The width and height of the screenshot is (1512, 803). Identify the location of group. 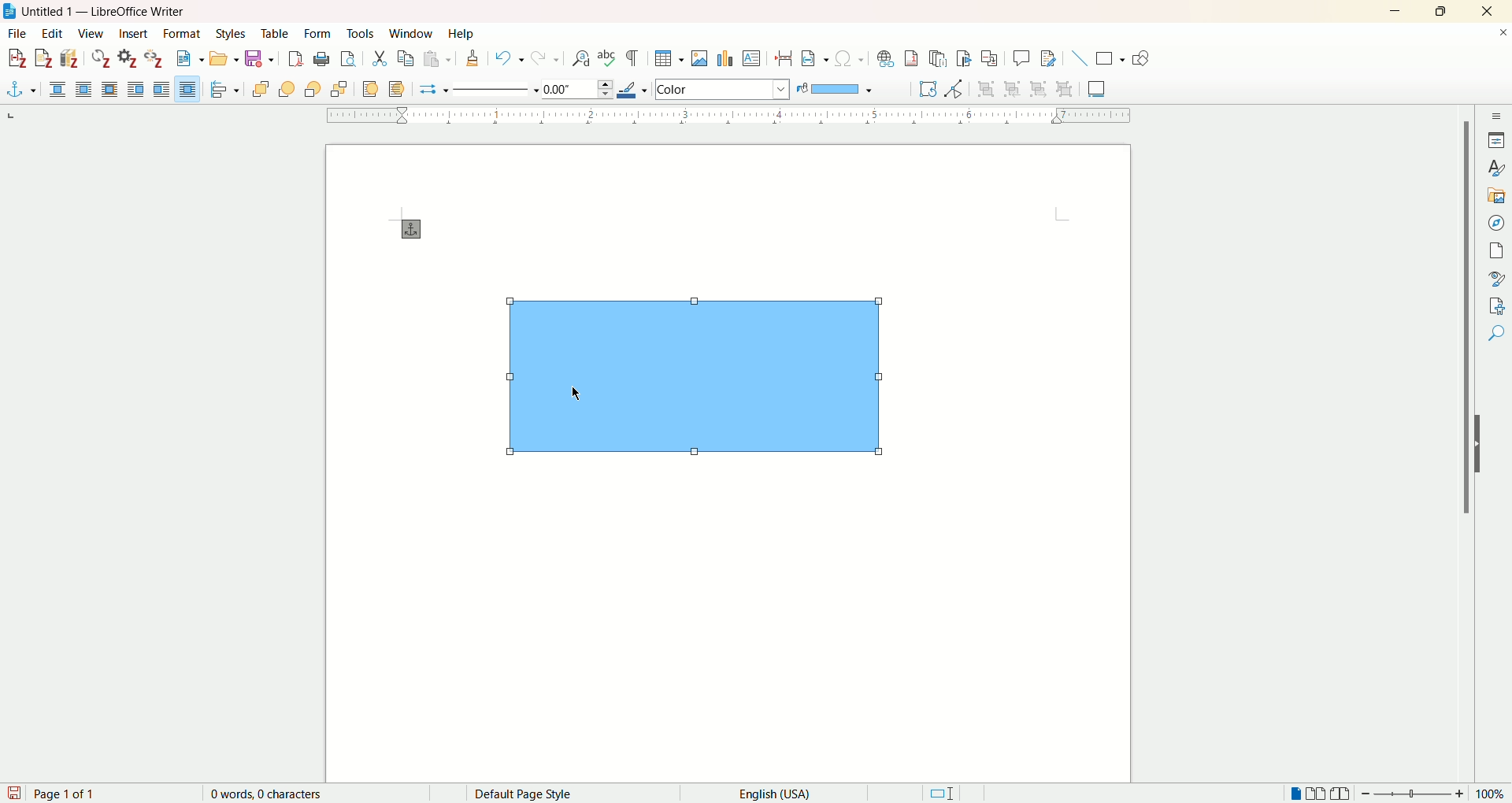
(991, 89).